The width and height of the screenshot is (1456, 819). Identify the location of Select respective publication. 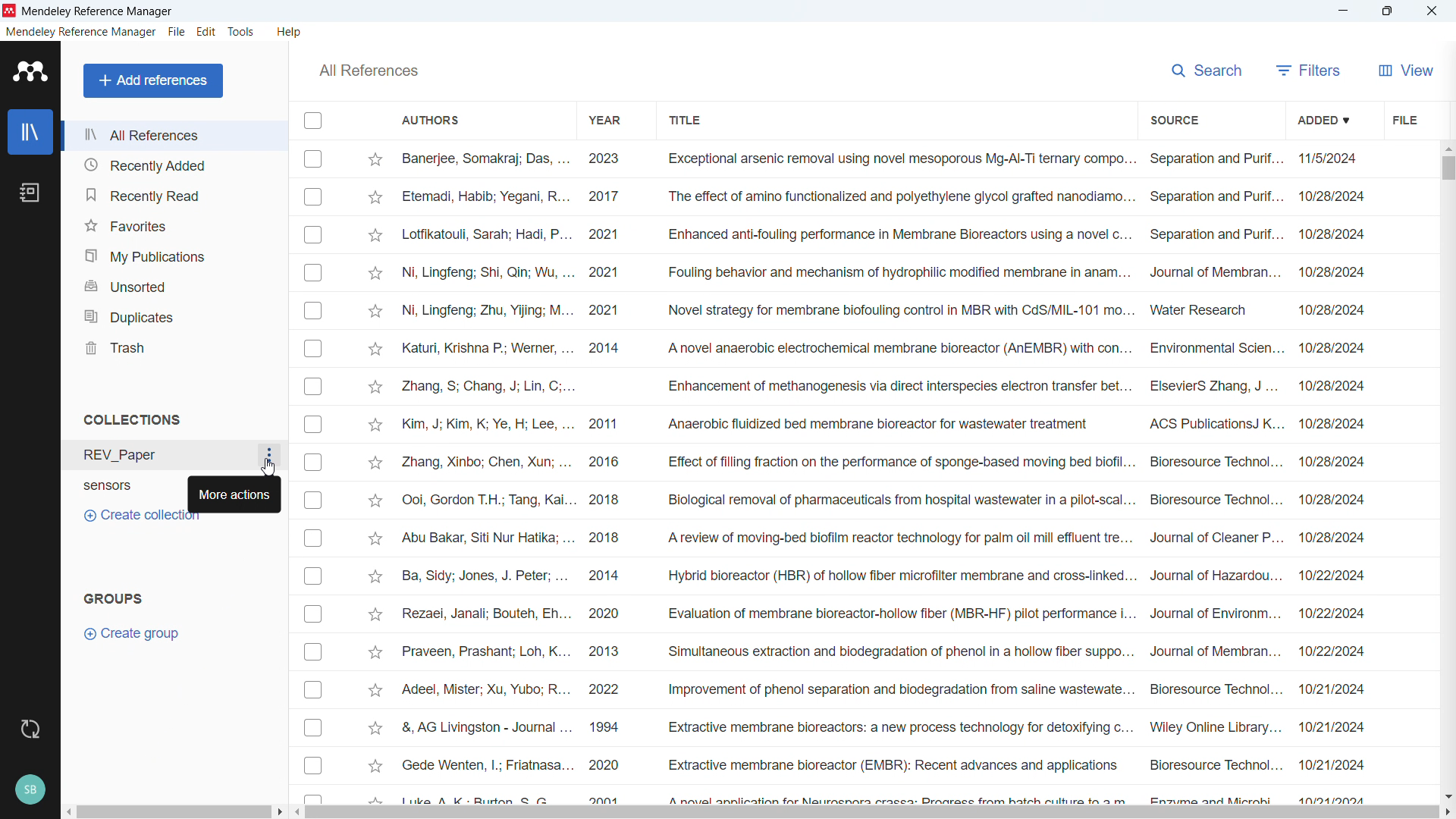
(313, 690).